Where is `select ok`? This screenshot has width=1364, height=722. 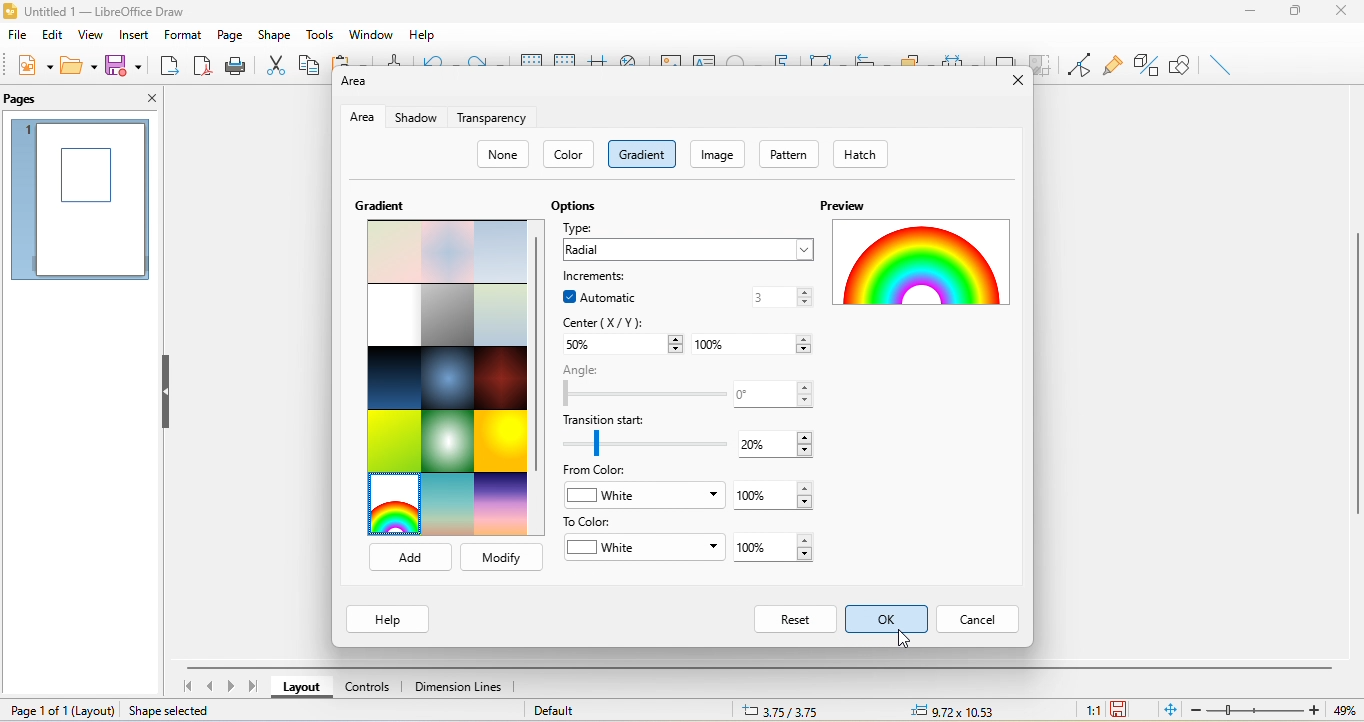 select ok is located at coordinates (890, 620).